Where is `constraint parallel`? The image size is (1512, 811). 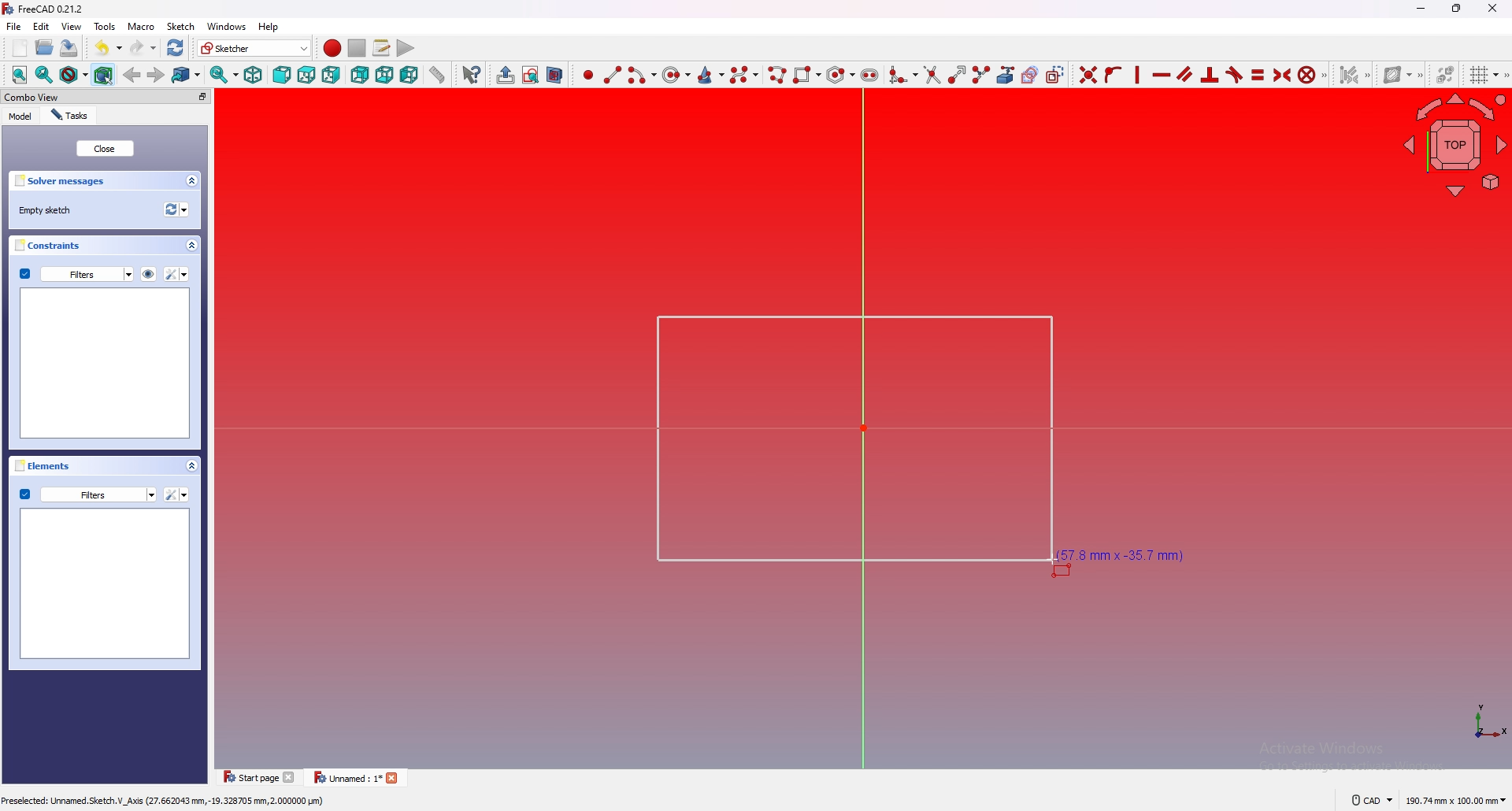
constraint parallel is located at coordinates (1186, 74).